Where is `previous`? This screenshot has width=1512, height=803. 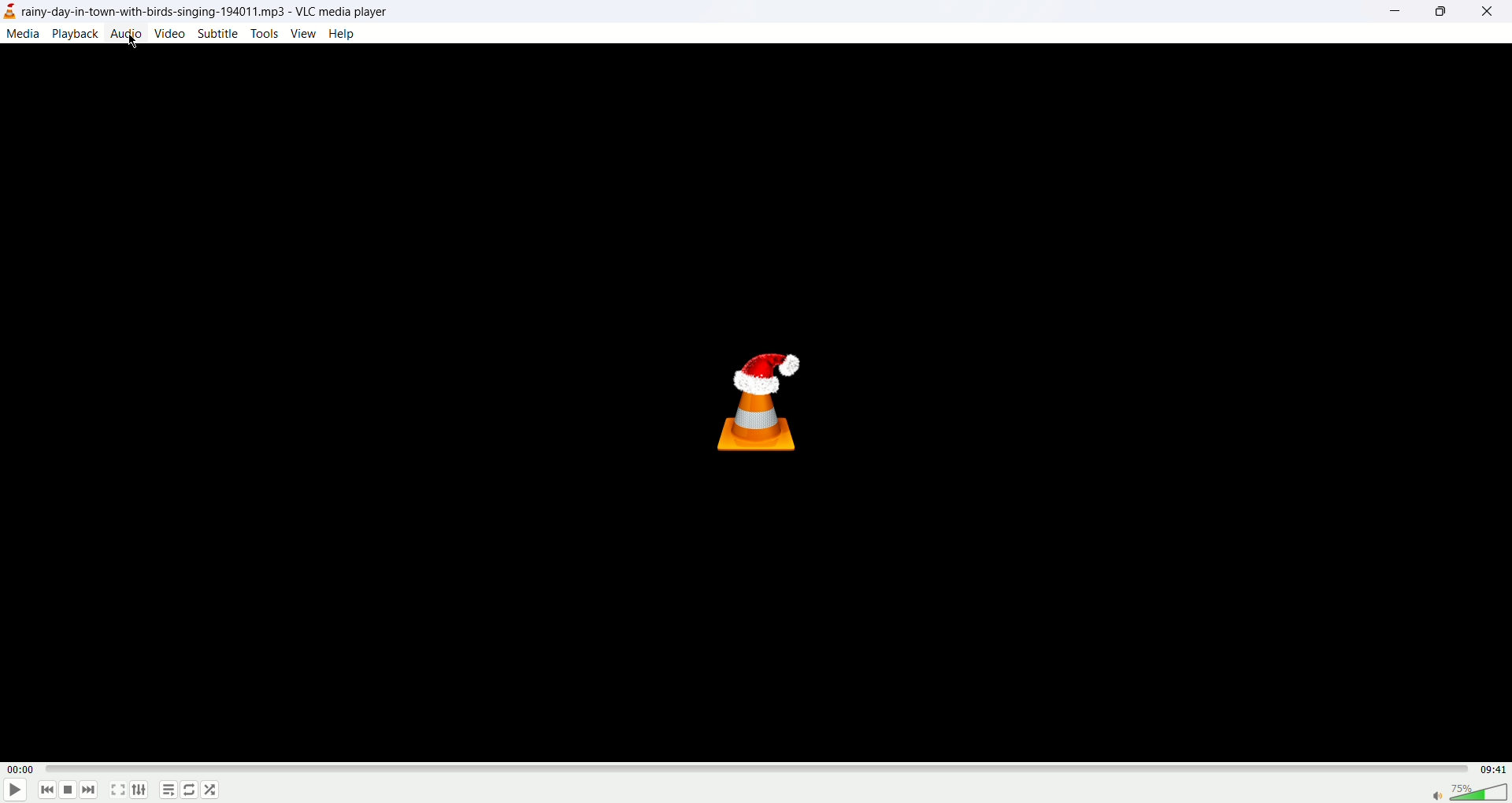 previous is located at coordinates (49, 791).